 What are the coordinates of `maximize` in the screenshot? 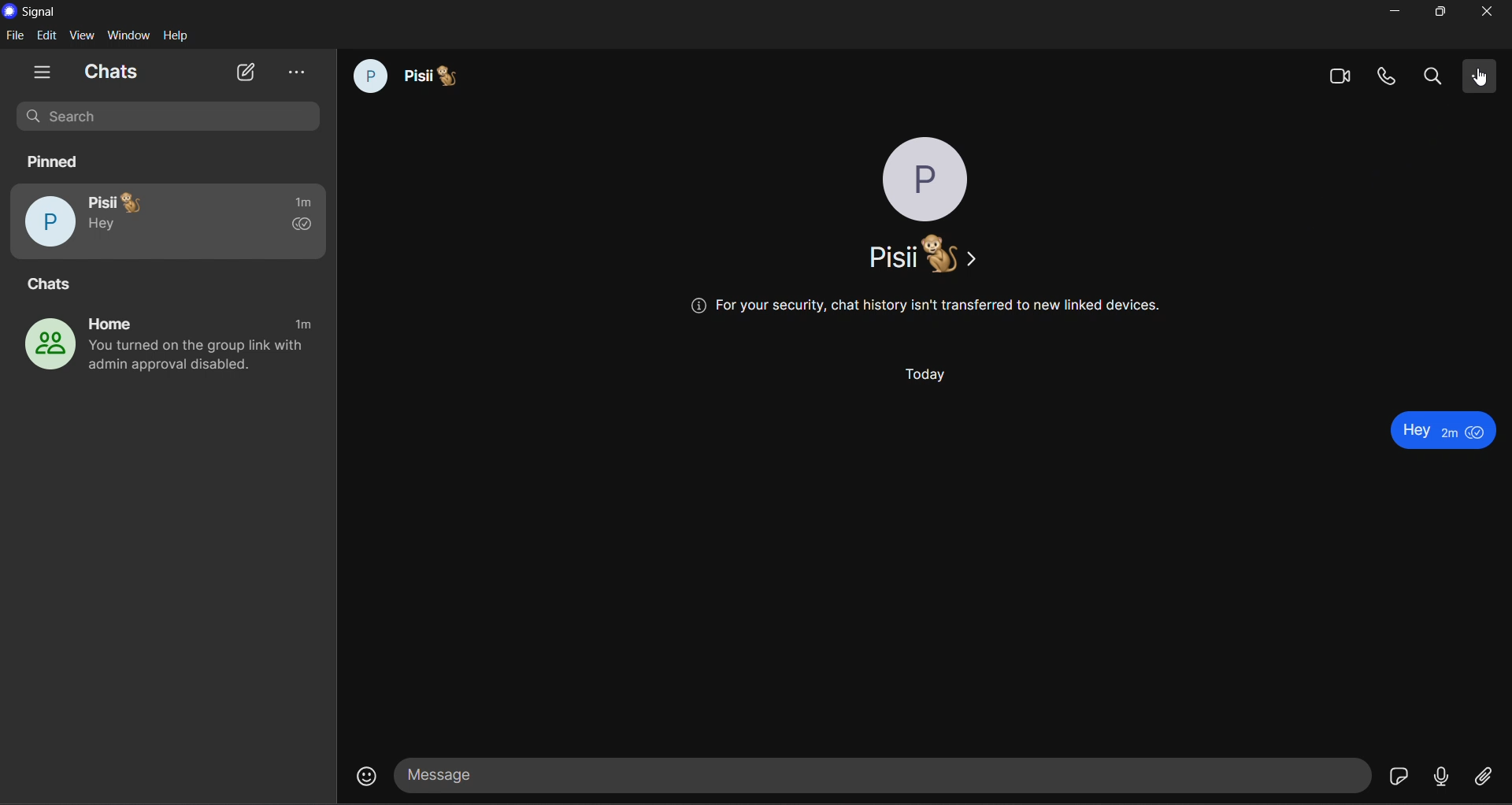 It's located at (1440, 13).